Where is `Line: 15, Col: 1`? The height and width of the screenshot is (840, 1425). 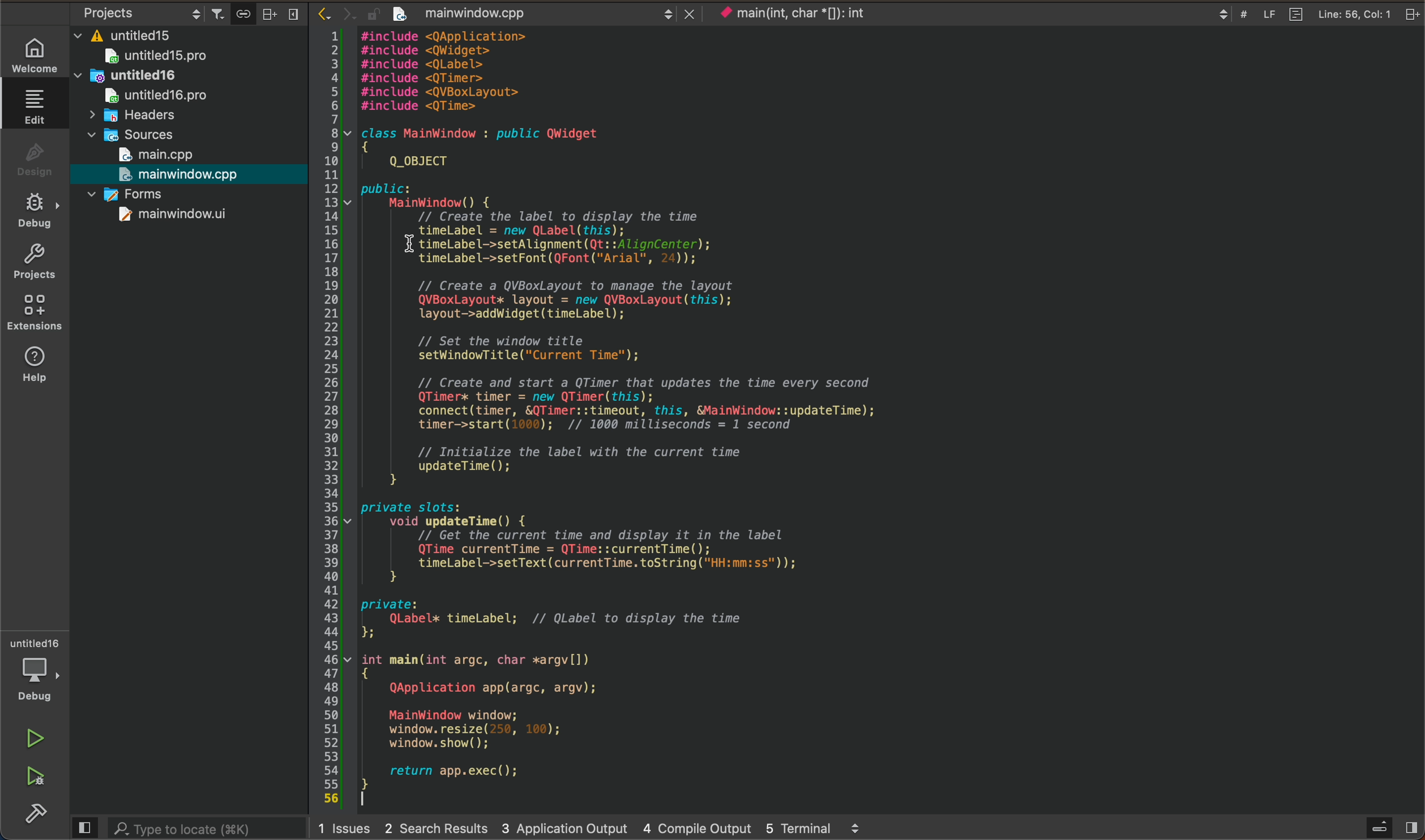 Line: 15, Col: 1 is located at coordinates (1345, 14).